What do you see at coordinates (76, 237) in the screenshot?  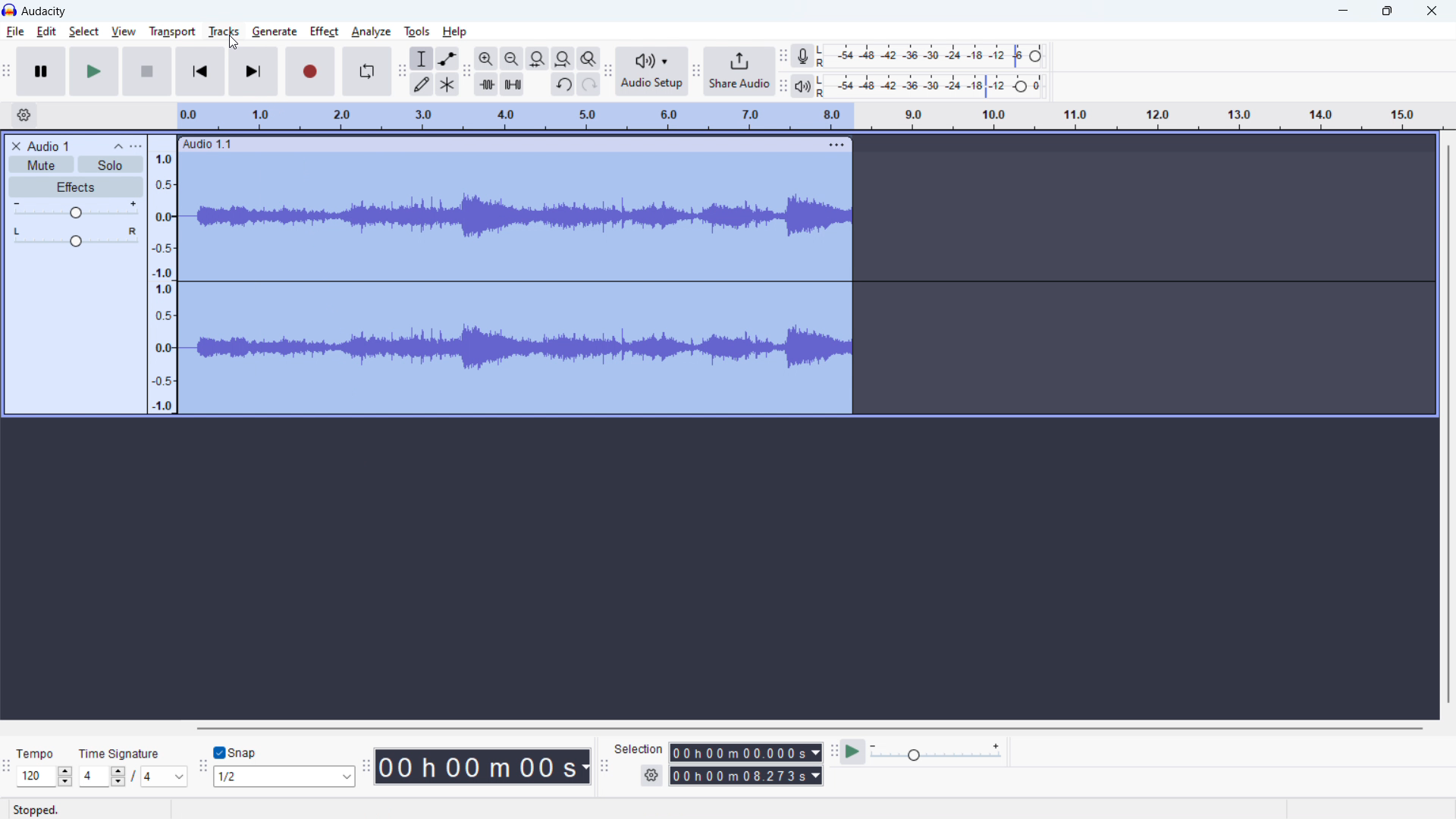 I see `pan` at bounding box center [76, 237].